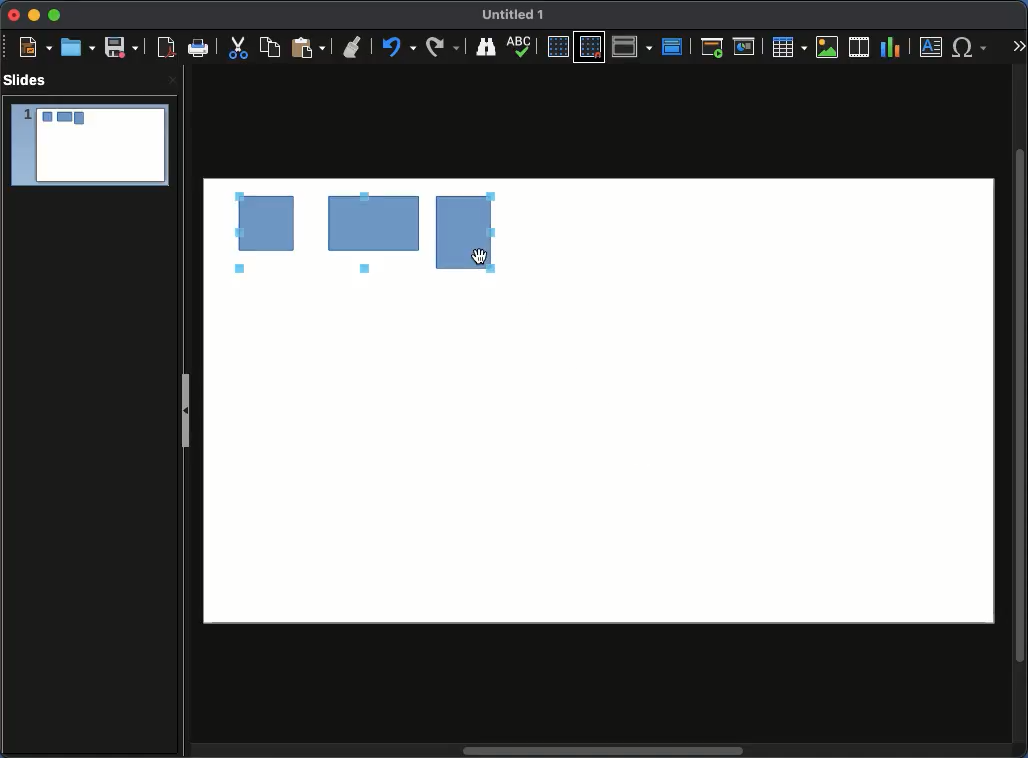 The image size is (1028, 758). What do you see at coordinates (15, 15) in the screenshot?
I see `Close` at bounding box center [15, 15].